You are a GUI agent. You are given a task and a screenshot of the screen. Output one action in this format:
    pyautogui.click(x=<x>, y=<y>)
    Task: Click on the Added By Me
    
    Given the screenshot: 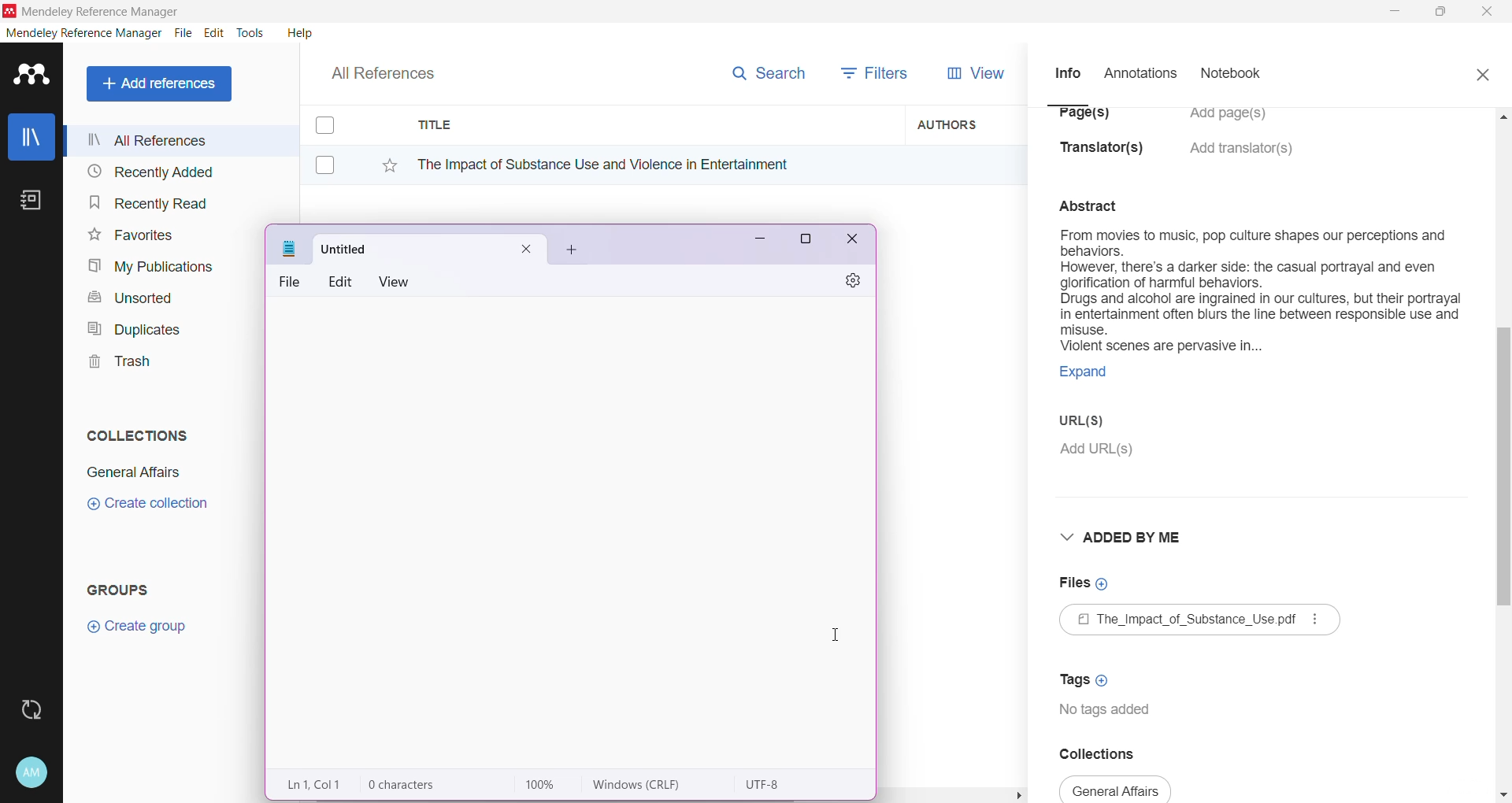 What is the action you would take?
    pyautogui.click(x=1125, y=537)
    